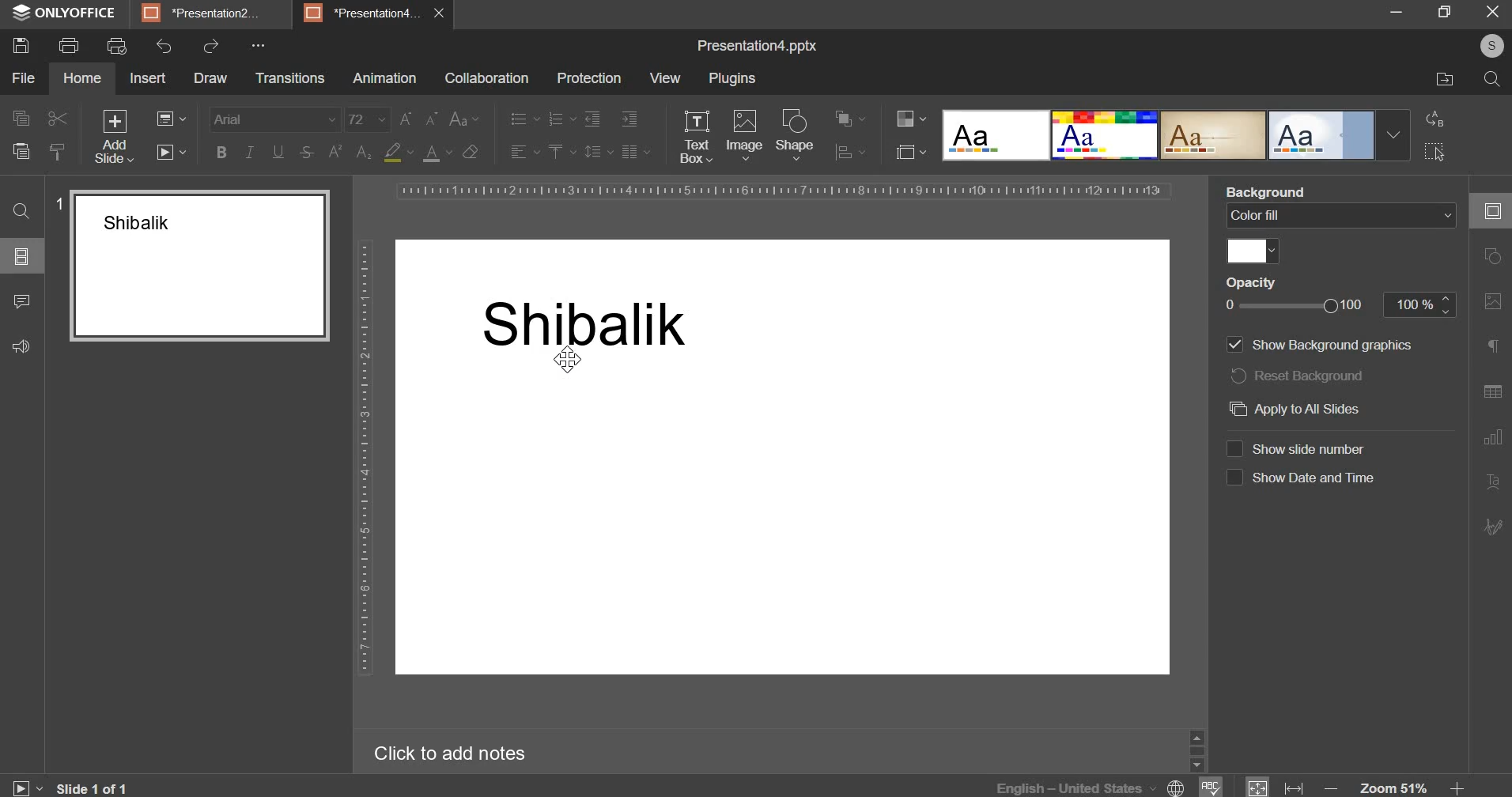 This screenshot has width=1512, height=797. Describe the element at coordinates (211, 46) in the screenshot. I see `redo` at that location.